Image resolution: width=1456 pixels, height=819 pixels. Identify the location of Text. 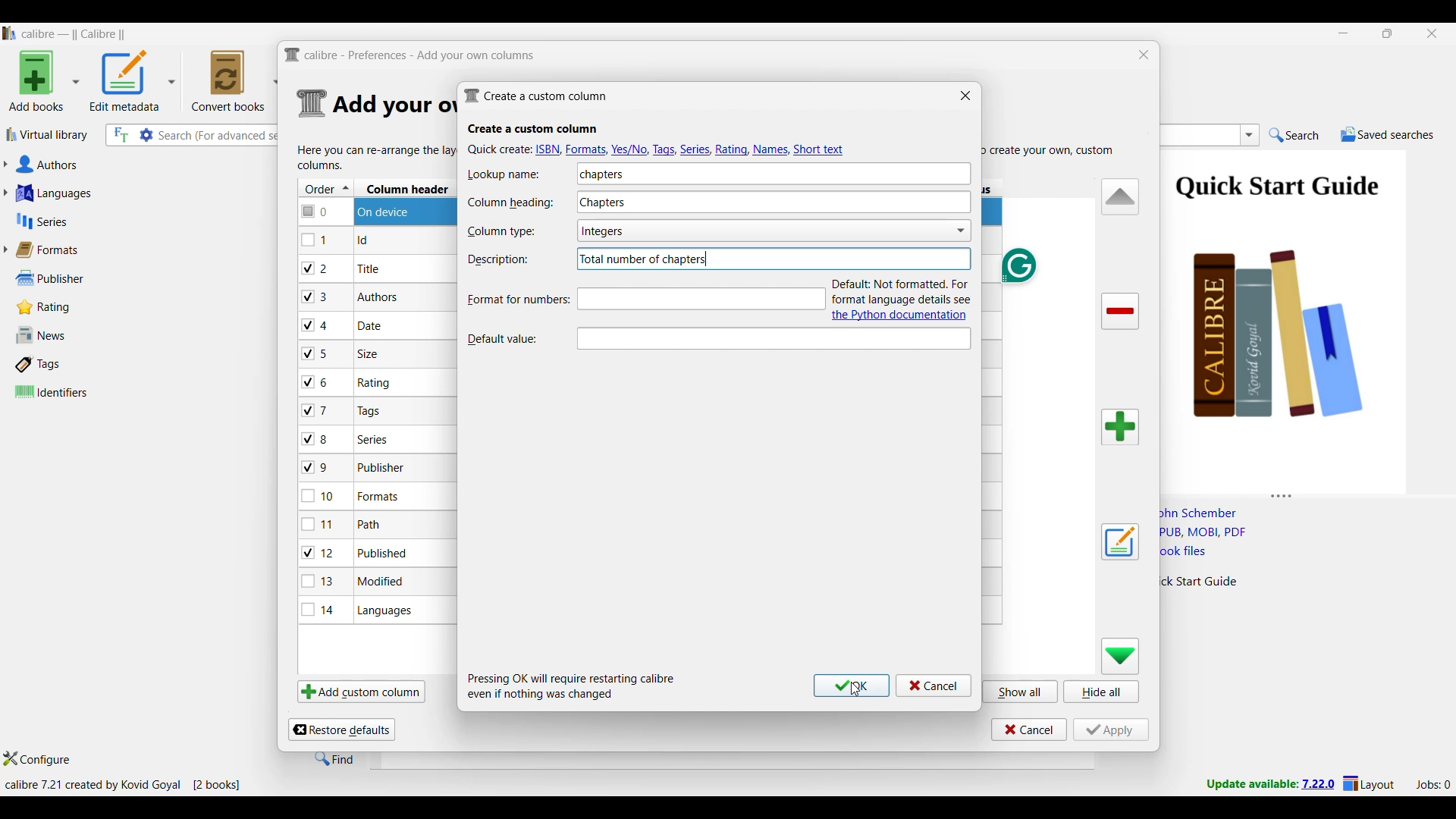
(644, 259).